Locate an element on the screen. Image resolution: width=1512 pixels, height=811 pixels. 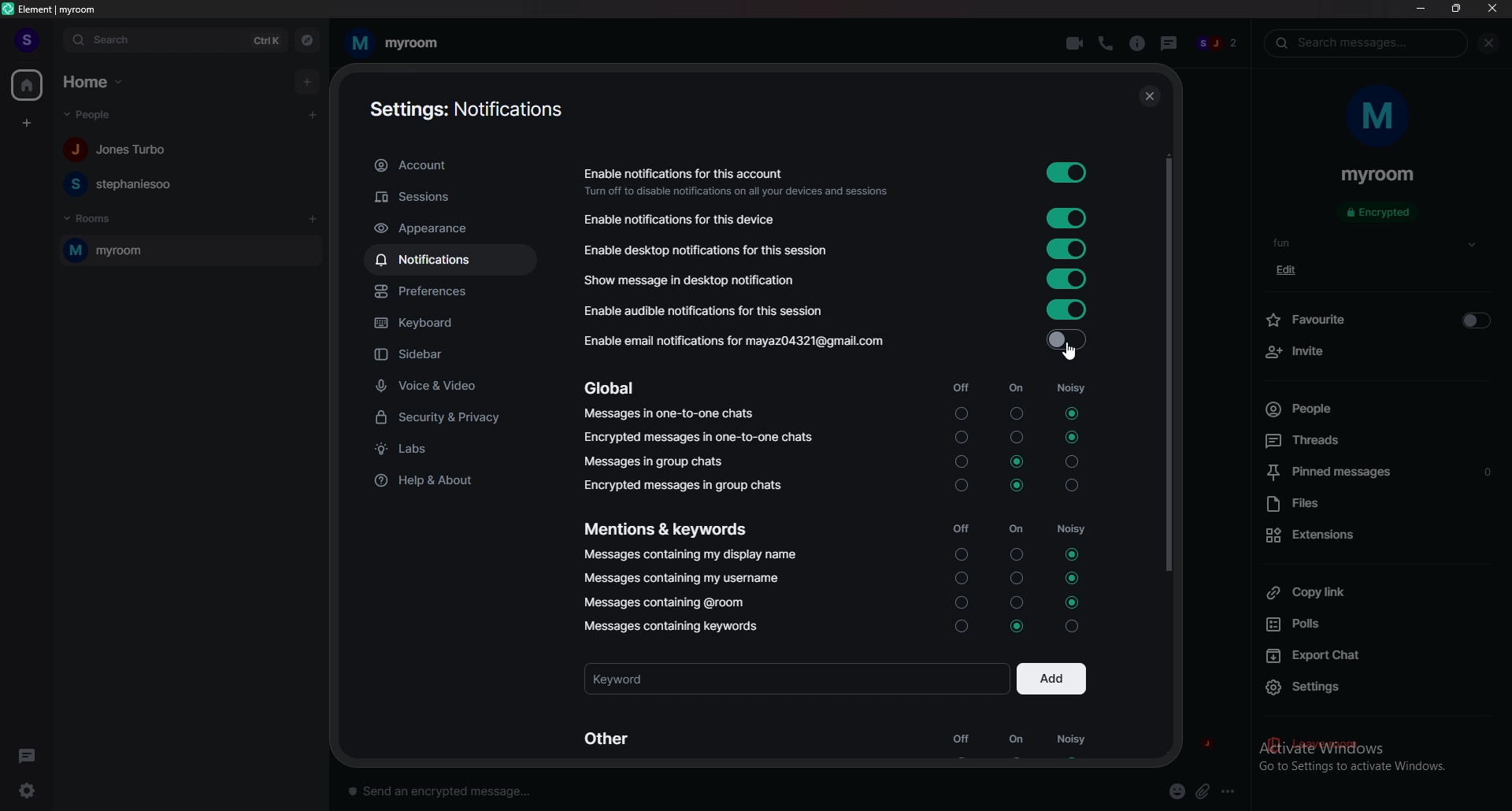
help and about is located at coordinates (445, 483).